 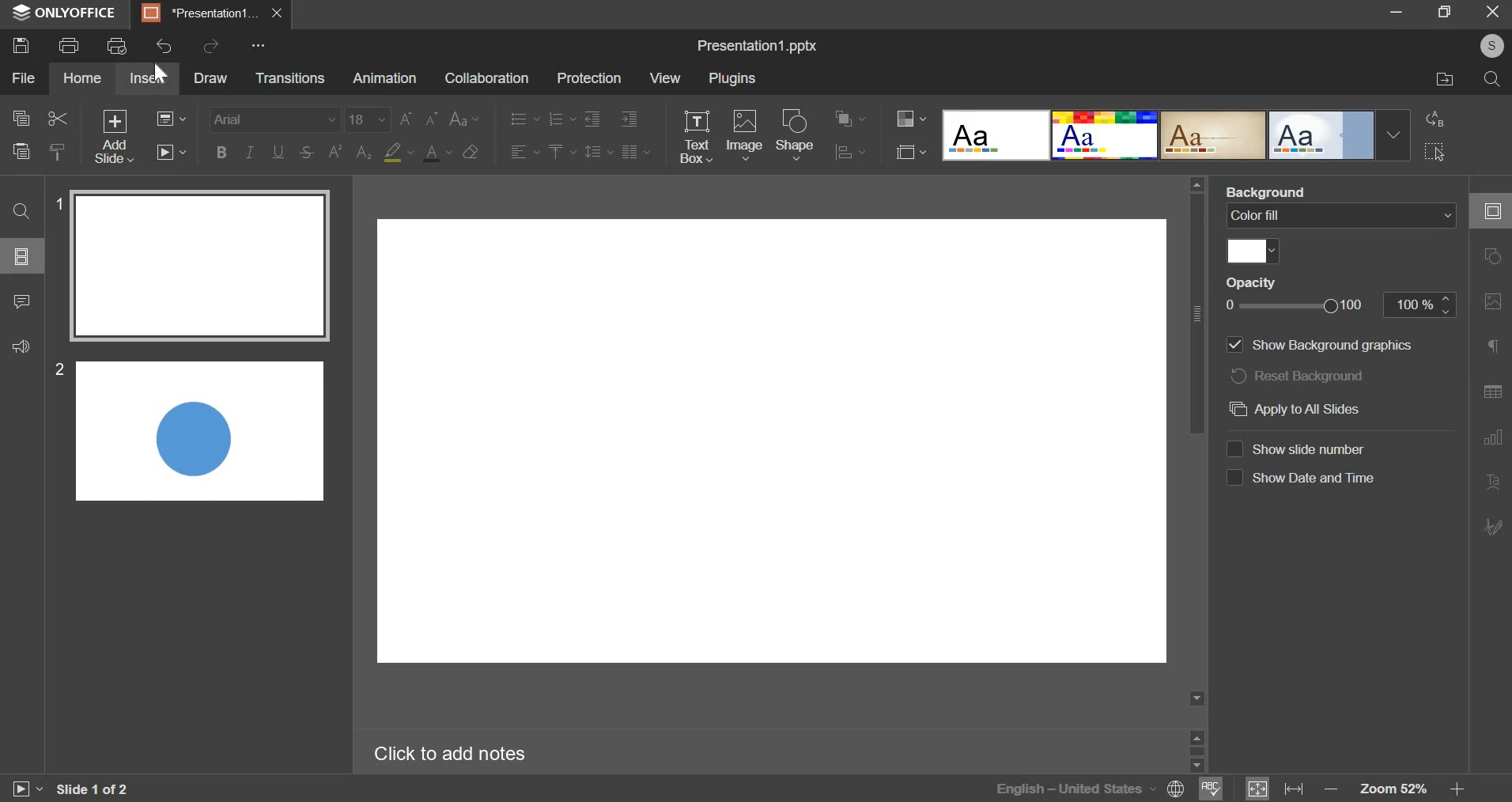 What do you see at coordinates (1496, 392) in the screenshot?
I see `Table settings` at bounding box center [1496, 392].